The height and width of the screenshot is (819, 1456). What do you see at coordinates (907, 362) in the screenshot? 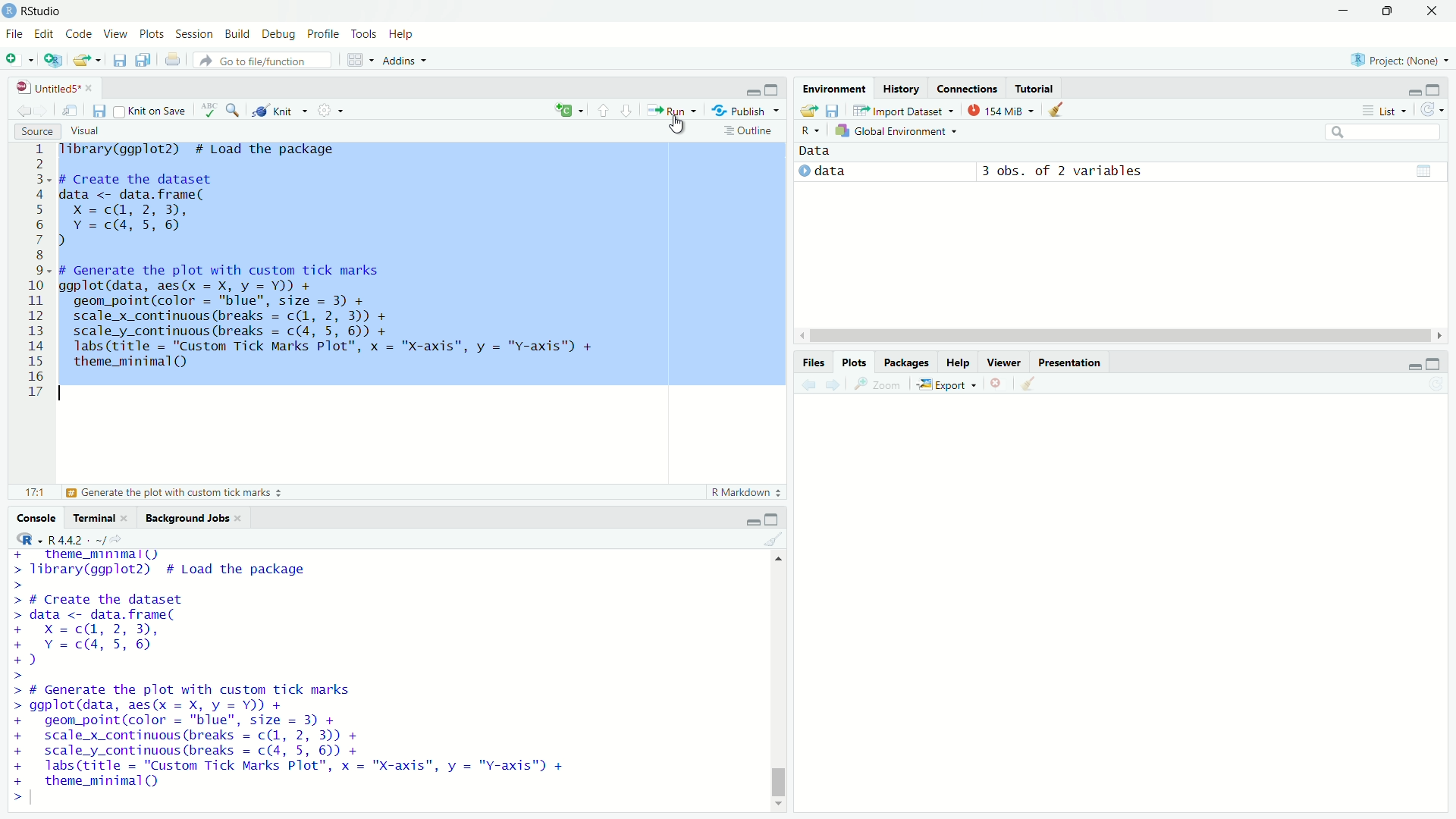
I see `packages` at bounding box center [907, 362].